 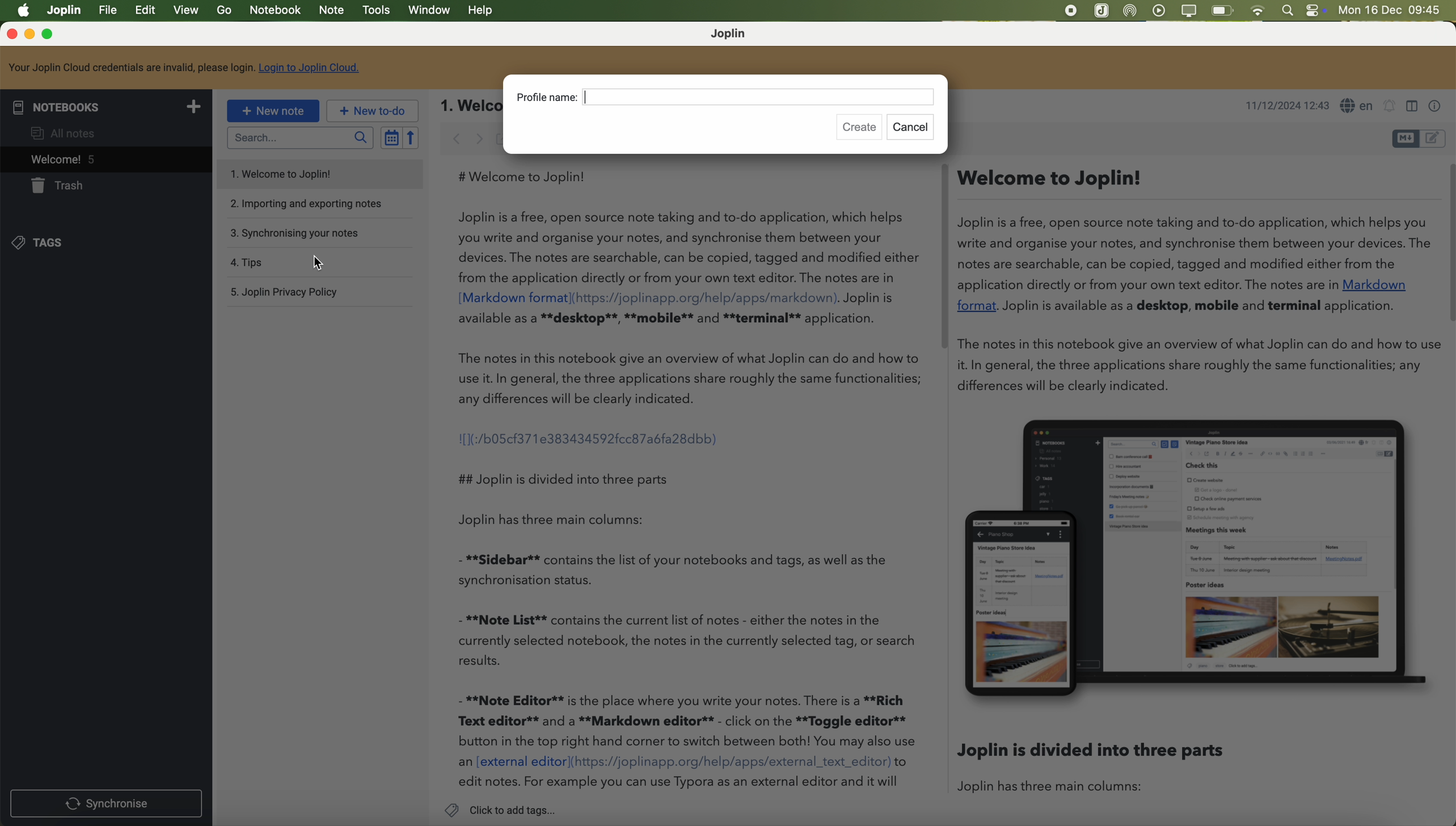 I want to click on spotlight search, so click(x=1289, y=10).